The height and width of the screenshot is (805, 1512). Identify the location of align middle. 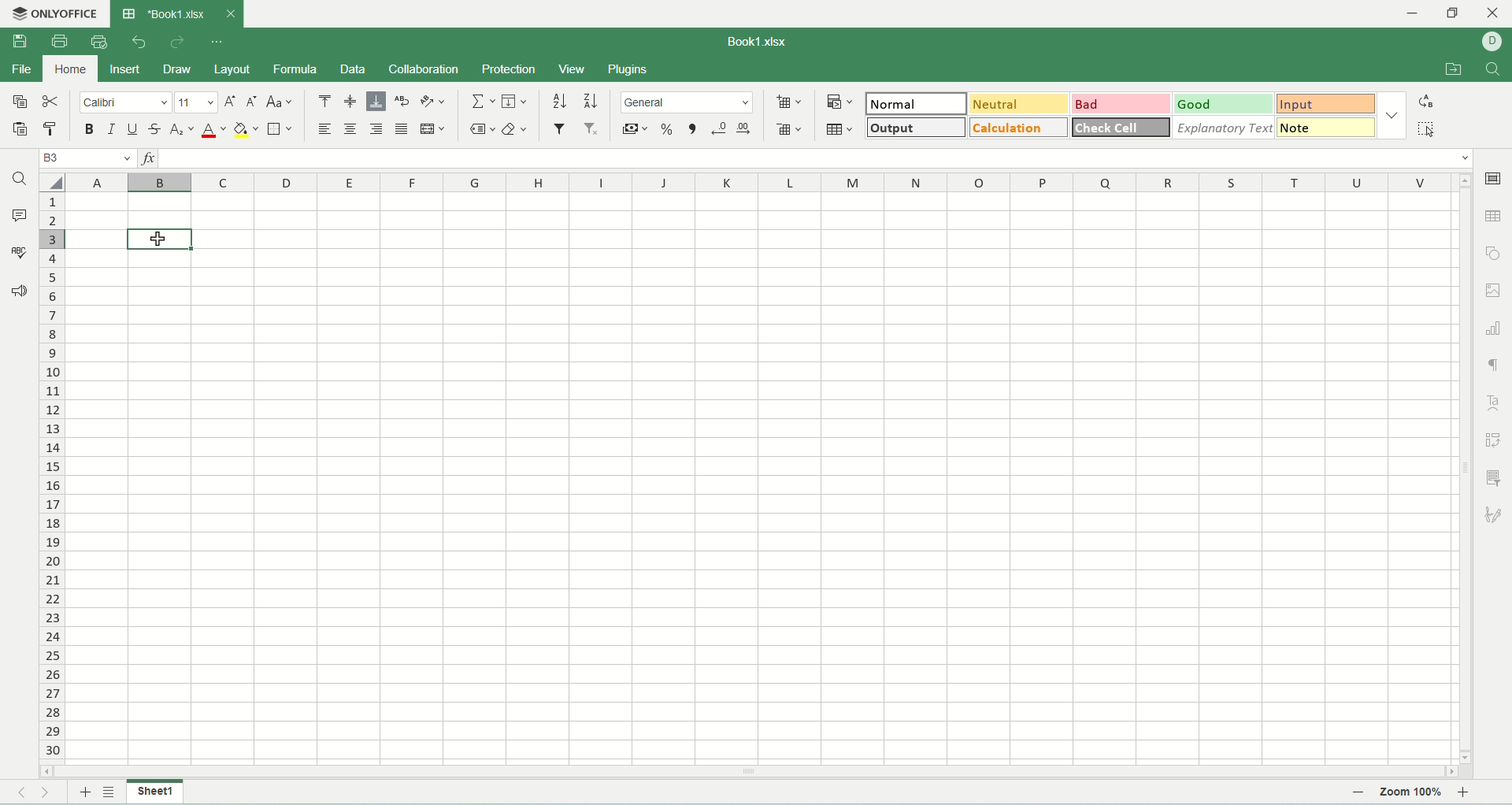
(350, 102).